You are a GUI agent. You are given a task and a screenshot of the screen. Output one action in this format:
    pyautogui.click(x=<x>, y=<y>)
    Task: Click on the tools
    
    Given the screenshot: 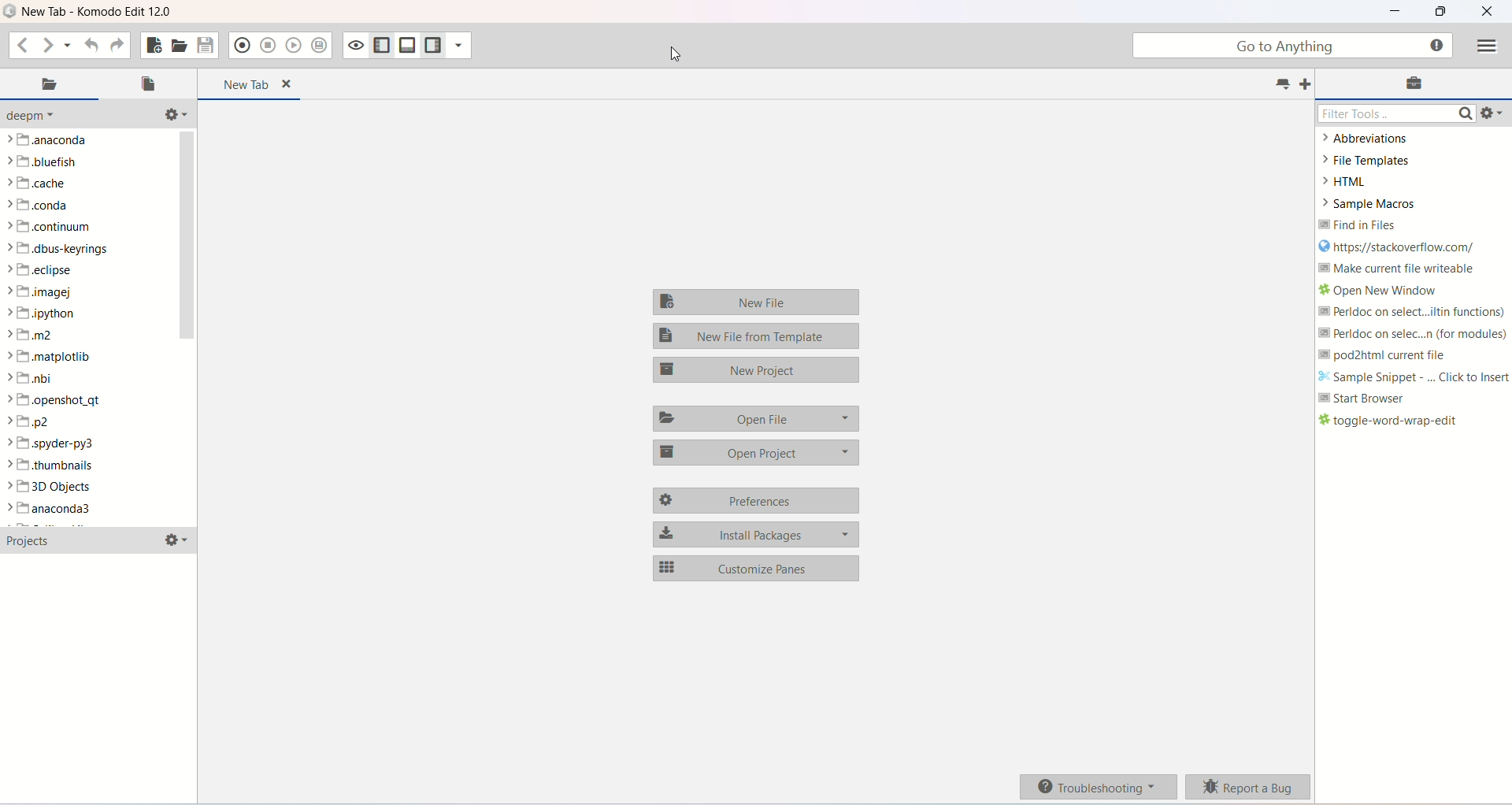 What is the action you would take?
    pyautogui.click(x=1492, y=112)
    